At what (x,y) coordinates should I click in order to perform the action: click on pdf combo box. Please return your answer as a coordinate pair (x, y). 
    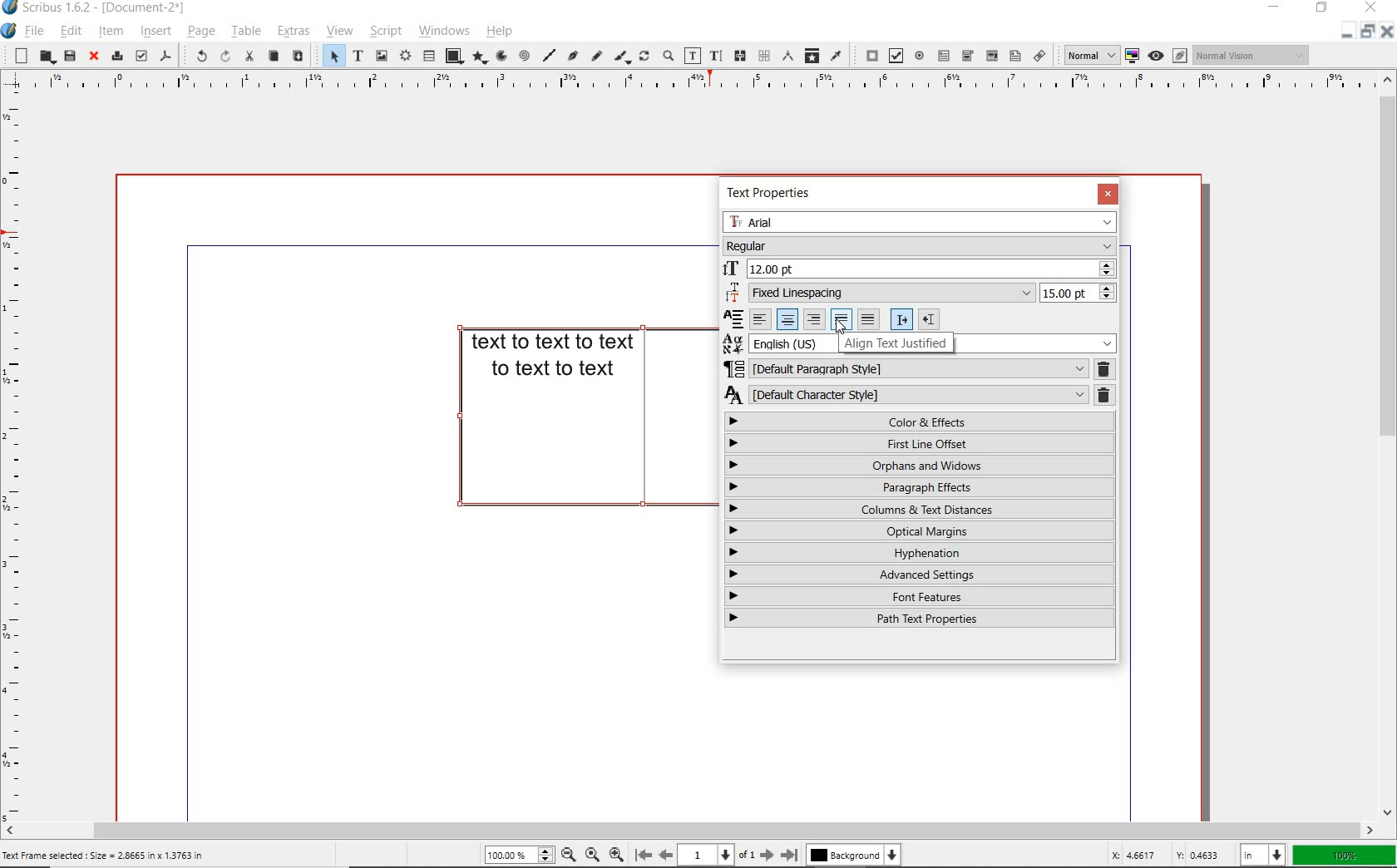
    Looking at the image, I should click on (968, 56).